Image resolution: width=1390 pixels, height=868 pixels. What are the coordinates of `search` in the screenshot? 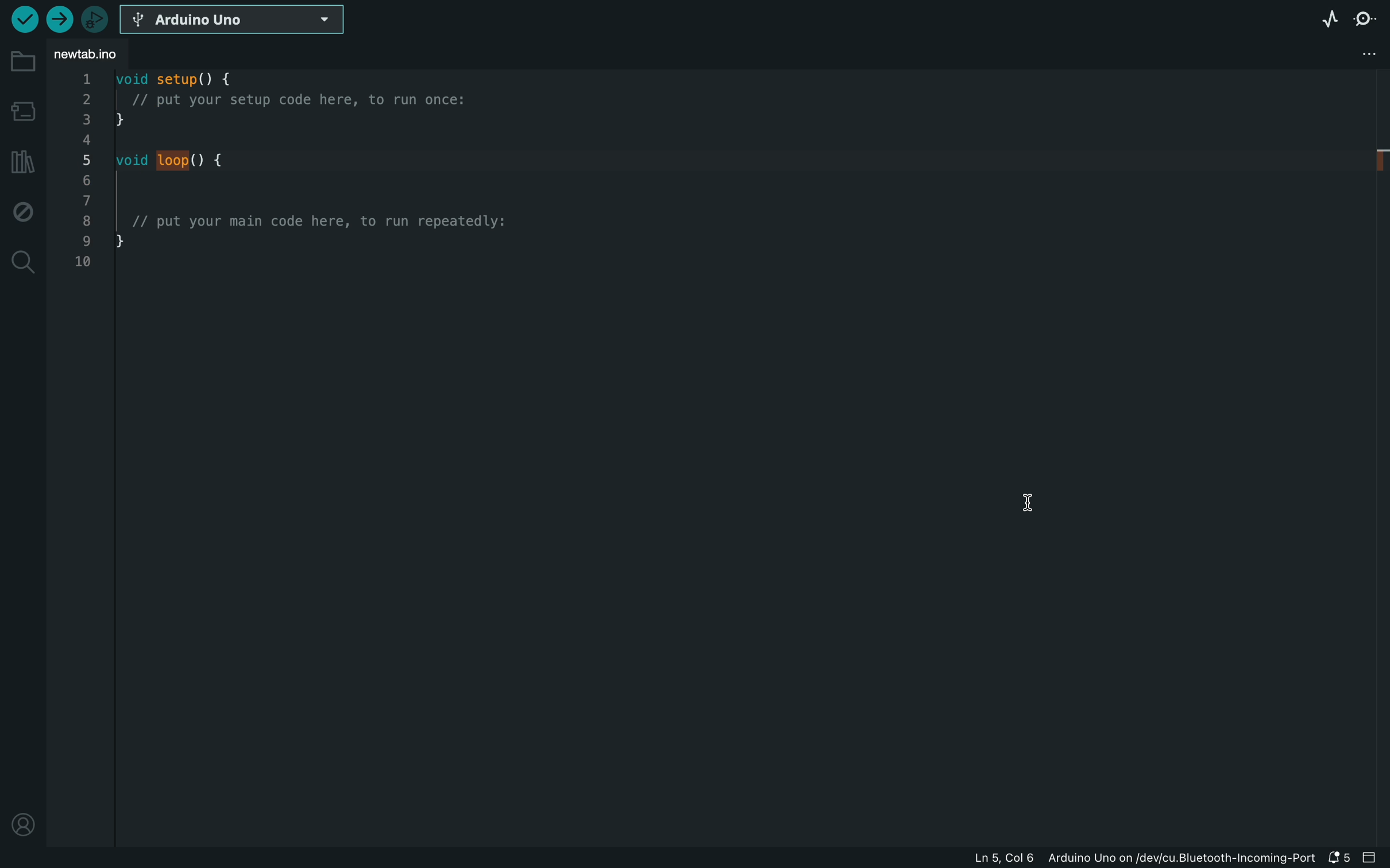 It's located at (23, 262).